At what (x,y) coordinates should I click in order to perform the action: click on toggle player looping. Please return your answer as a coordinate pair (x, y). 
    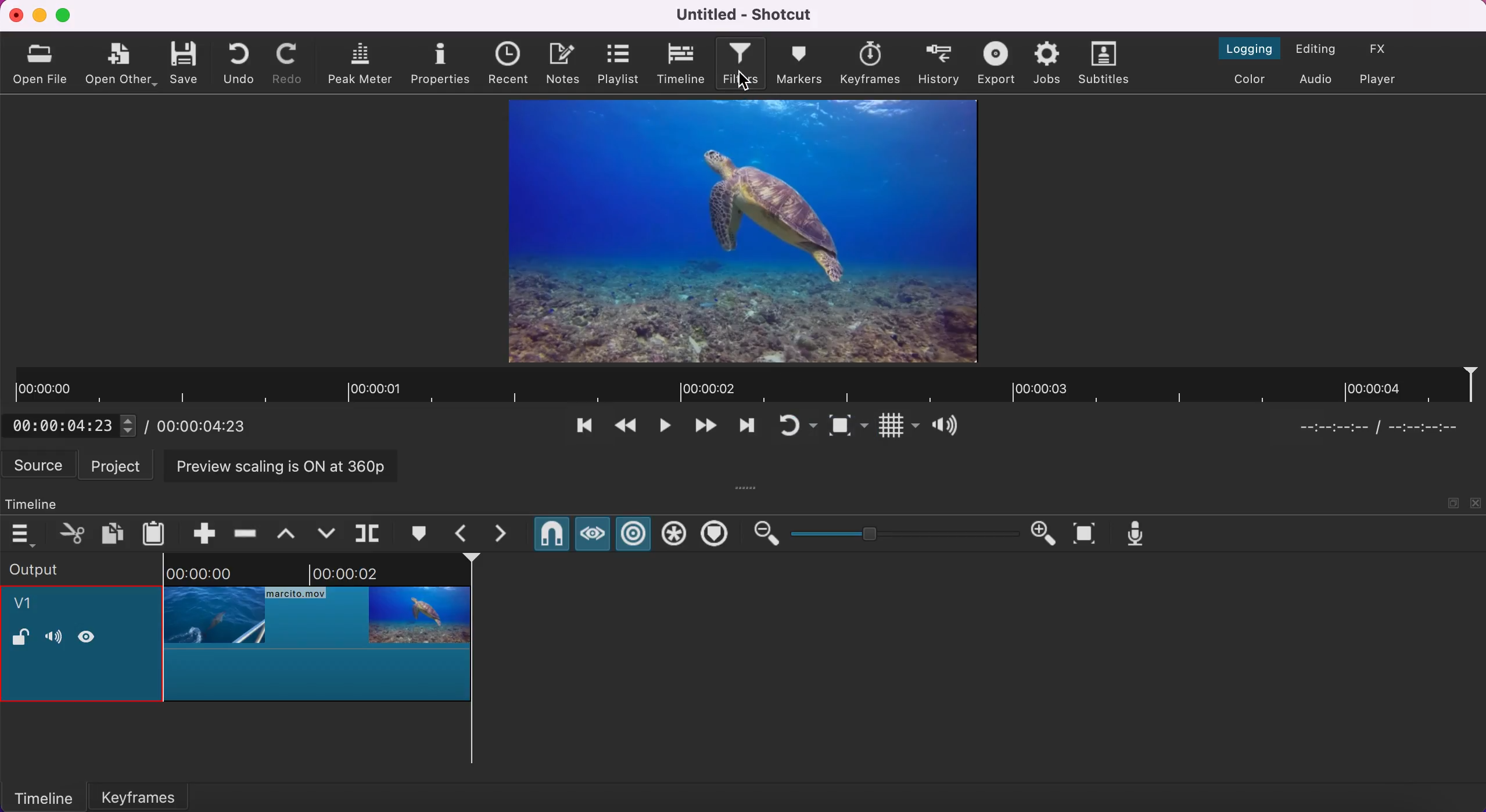
    Looking at the image, I should click on (796, 427).